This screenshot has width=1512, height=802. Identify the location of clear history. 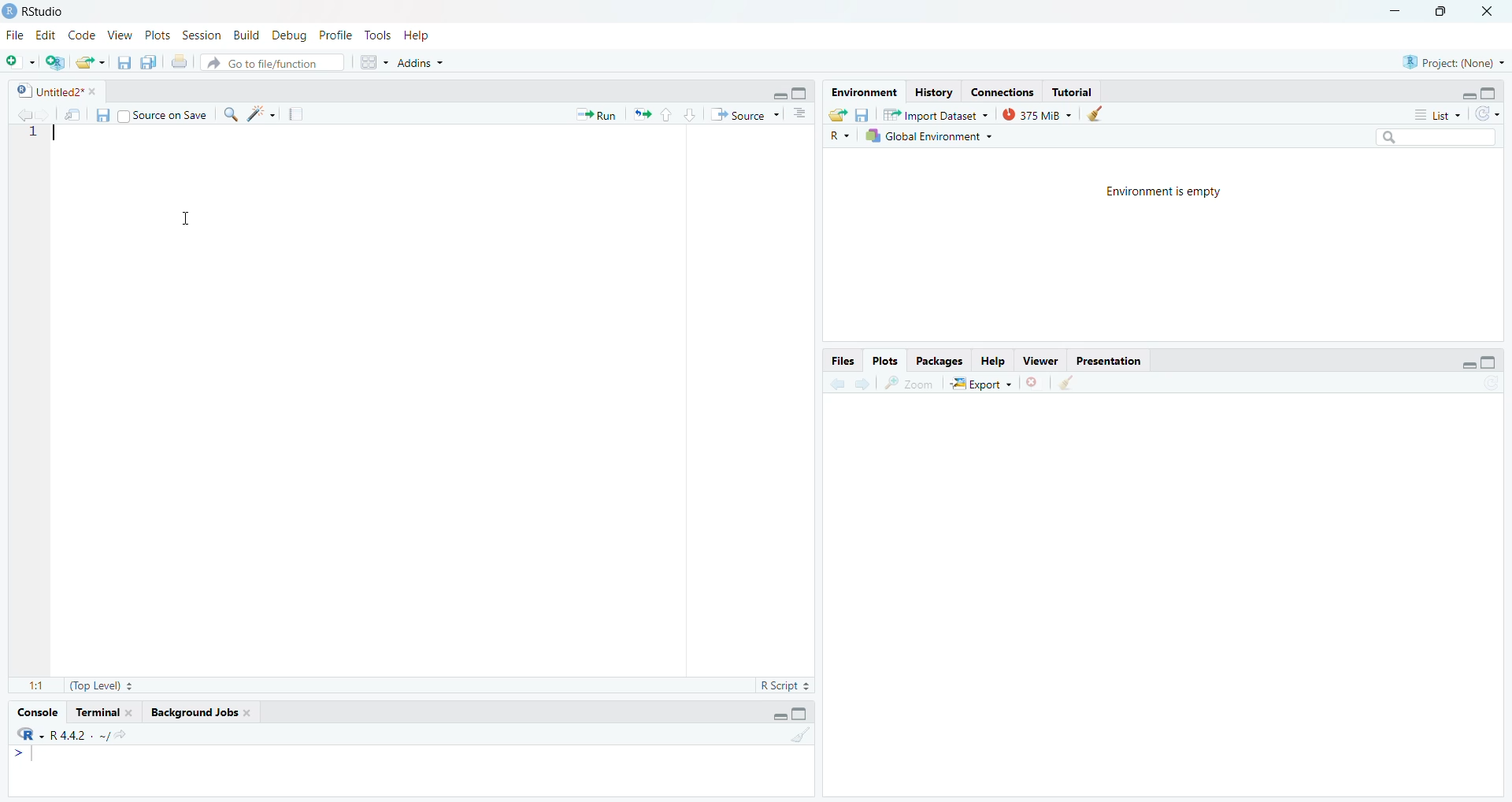
(1099, 114).